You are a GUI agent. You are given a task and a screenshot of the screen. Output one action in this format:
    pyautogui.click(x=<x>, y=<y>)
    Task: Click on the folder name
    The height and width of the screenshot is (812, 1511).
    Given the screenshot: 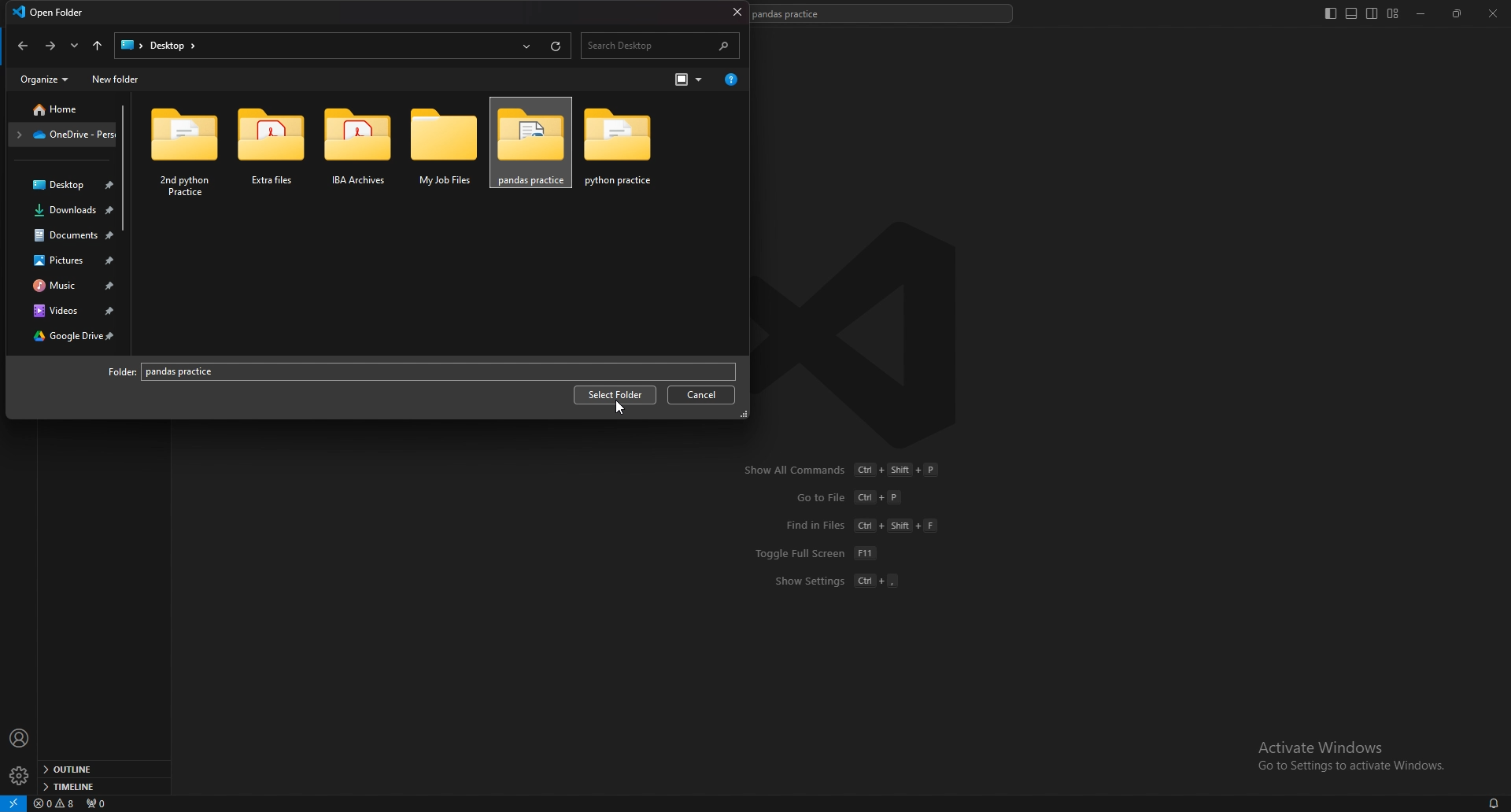 What is the action you would take?
    pyautogui.click(x=438, y=374)
    